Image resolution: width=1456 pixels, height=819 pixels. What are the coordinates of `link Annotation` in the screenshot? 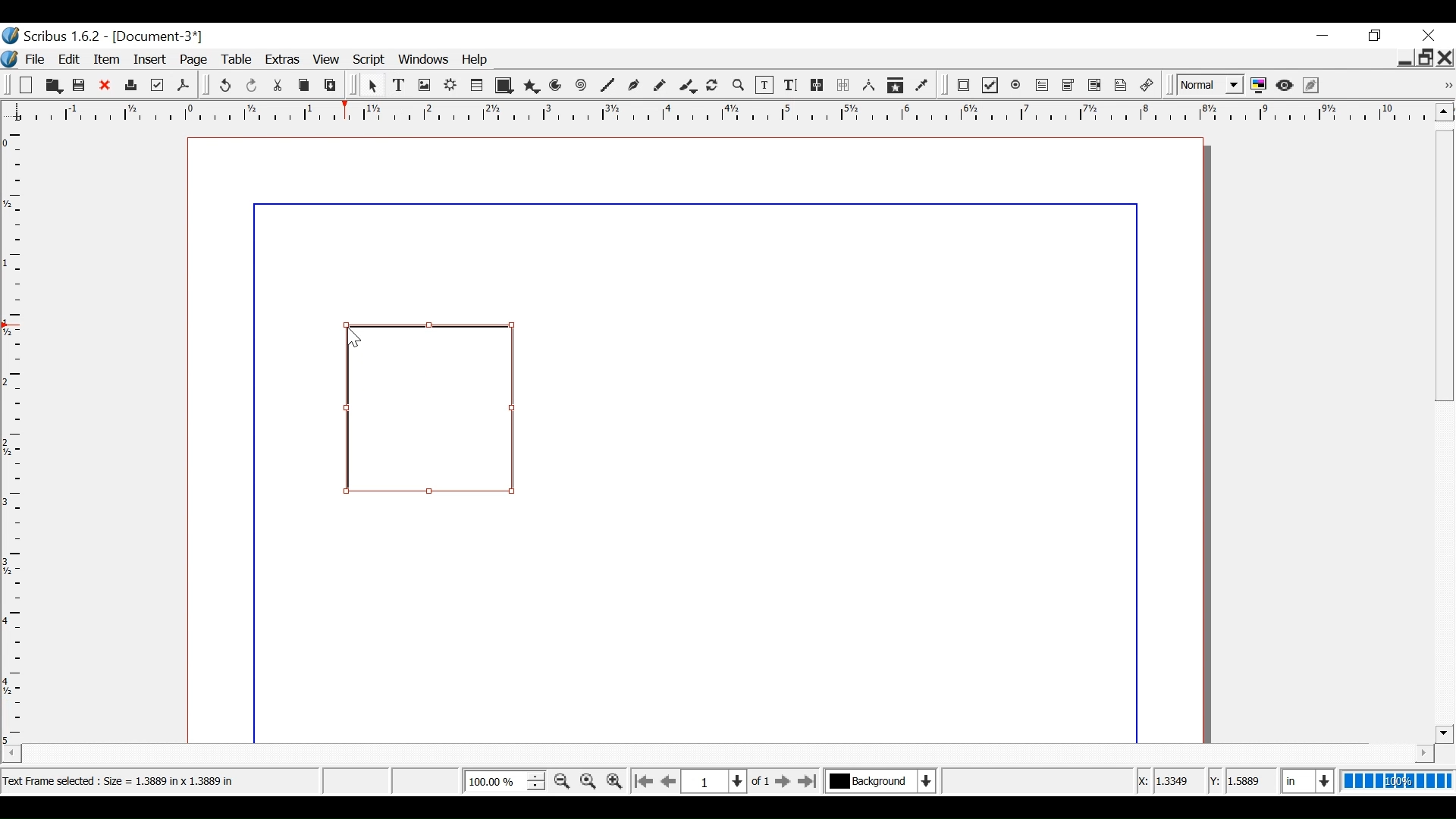 It's located at (1147, 86).